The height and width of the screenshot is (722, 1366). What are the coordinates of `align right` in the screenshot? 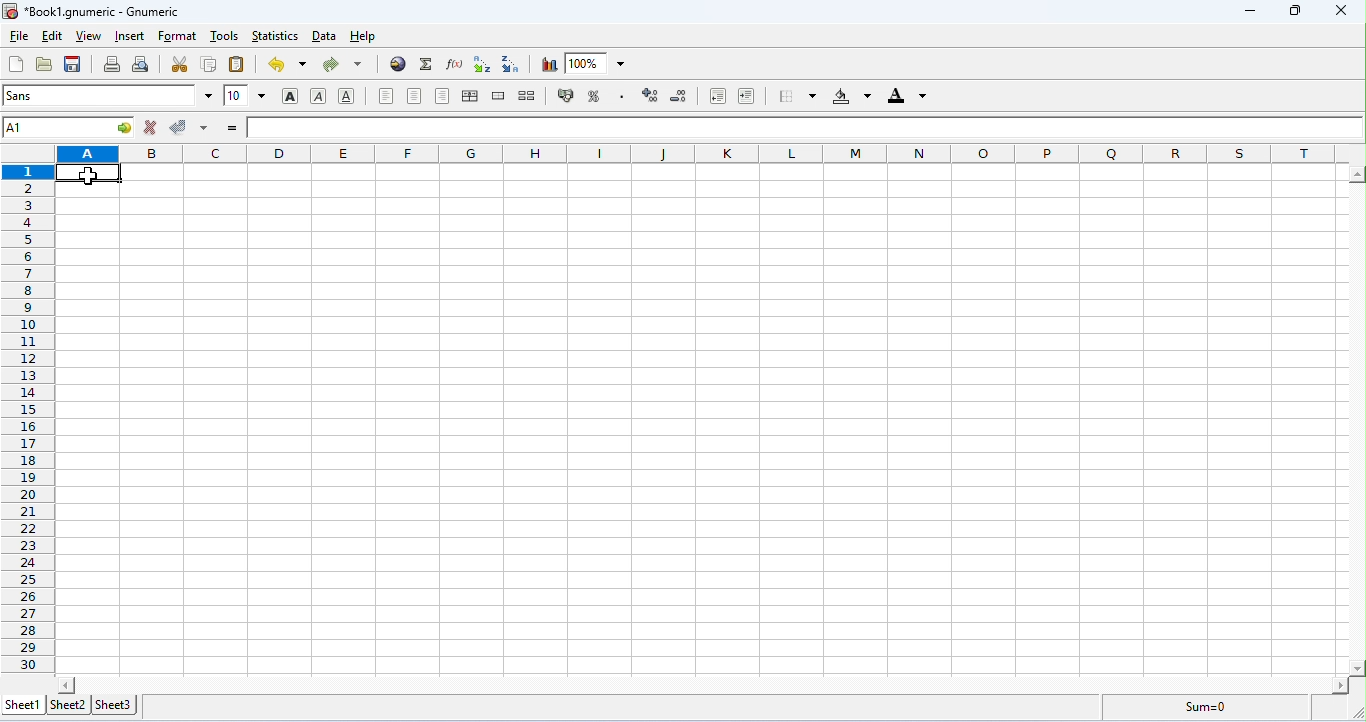 It's located at (441, 95).